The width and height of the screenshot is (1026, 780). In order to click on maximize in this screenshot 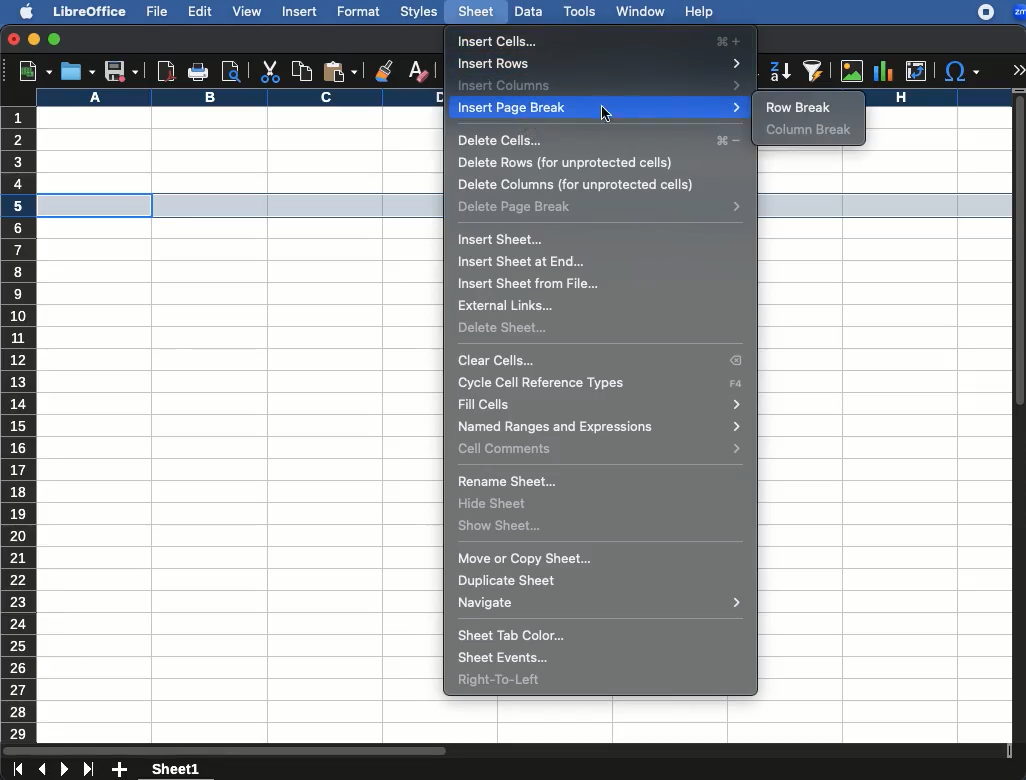, I will do `click(54, 39)`.